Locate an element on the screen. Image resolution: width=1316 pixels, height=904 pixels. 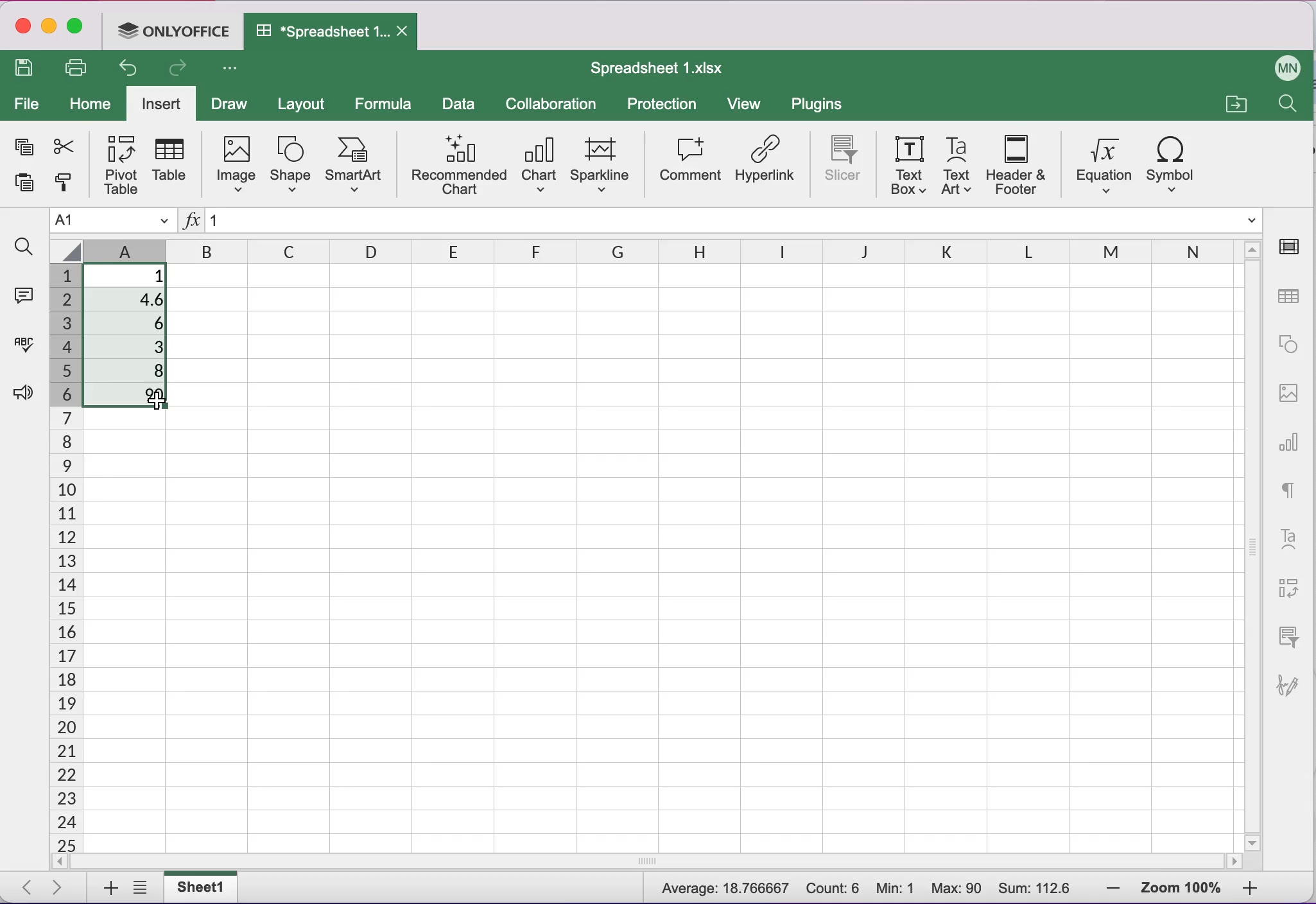
Cells is located at coordinates (713, 559).